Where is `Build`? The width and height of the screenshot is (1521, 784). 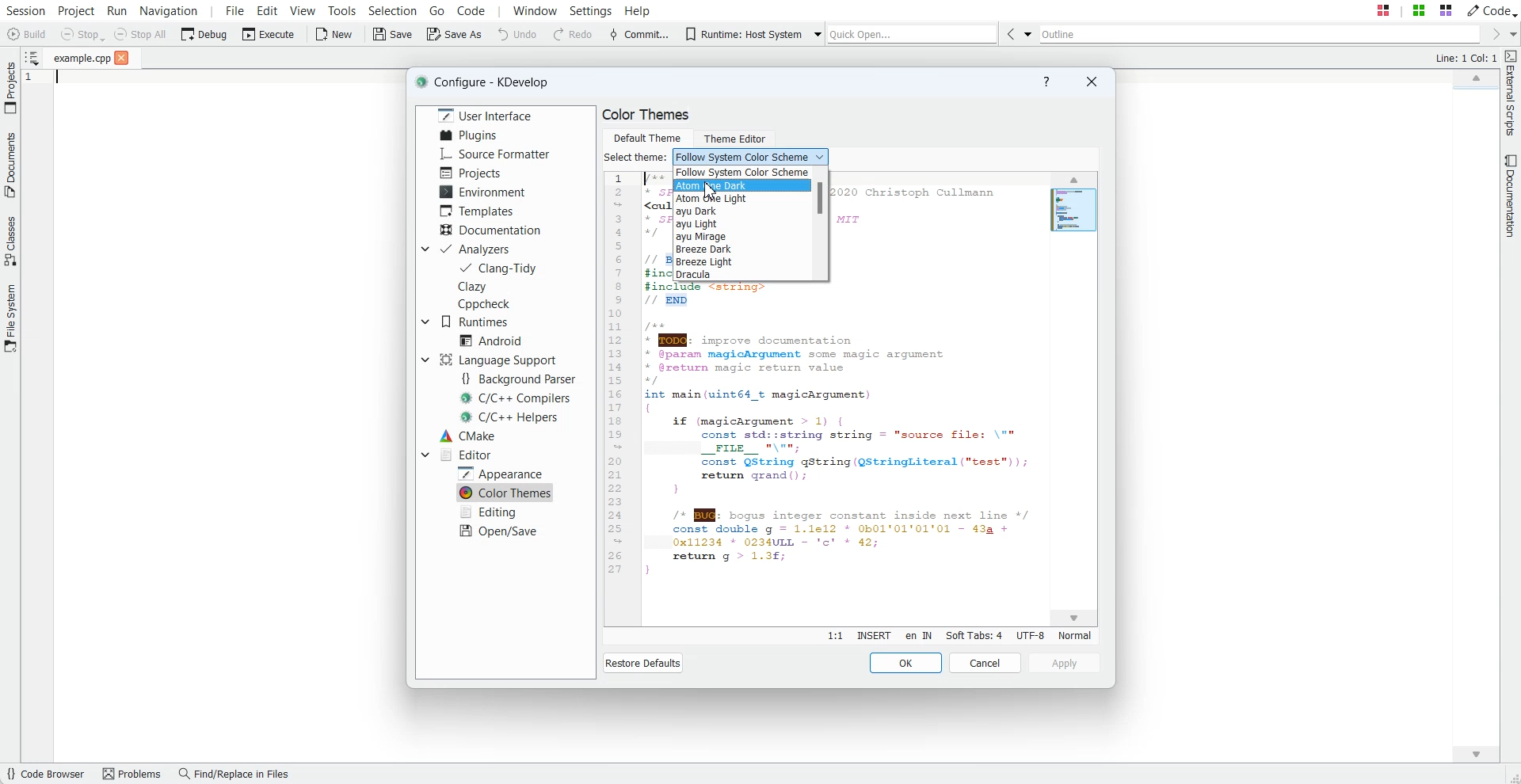 Build is located at coordinates (25, 34).